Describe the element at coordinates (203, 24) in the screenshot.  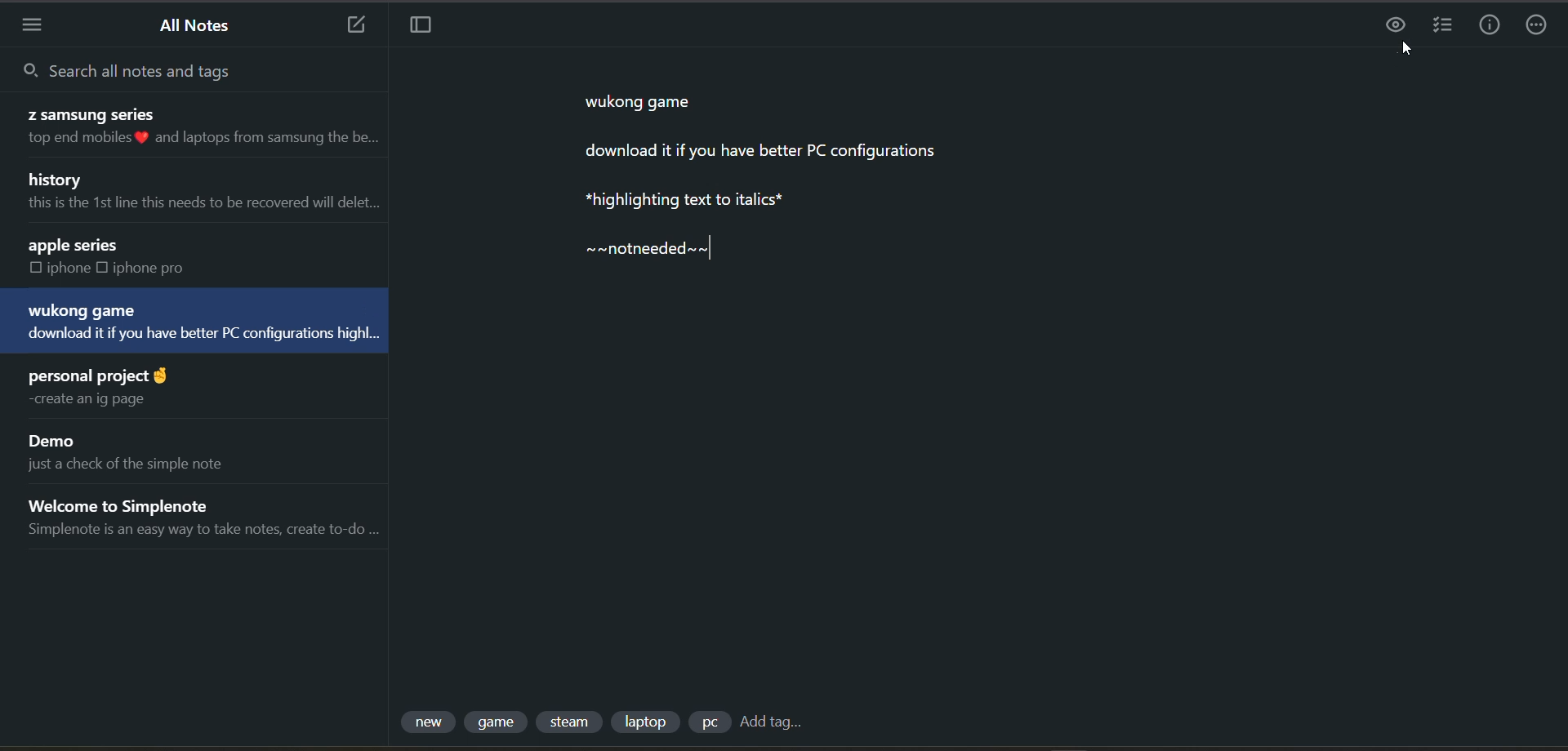
I see `all notes` at that location.